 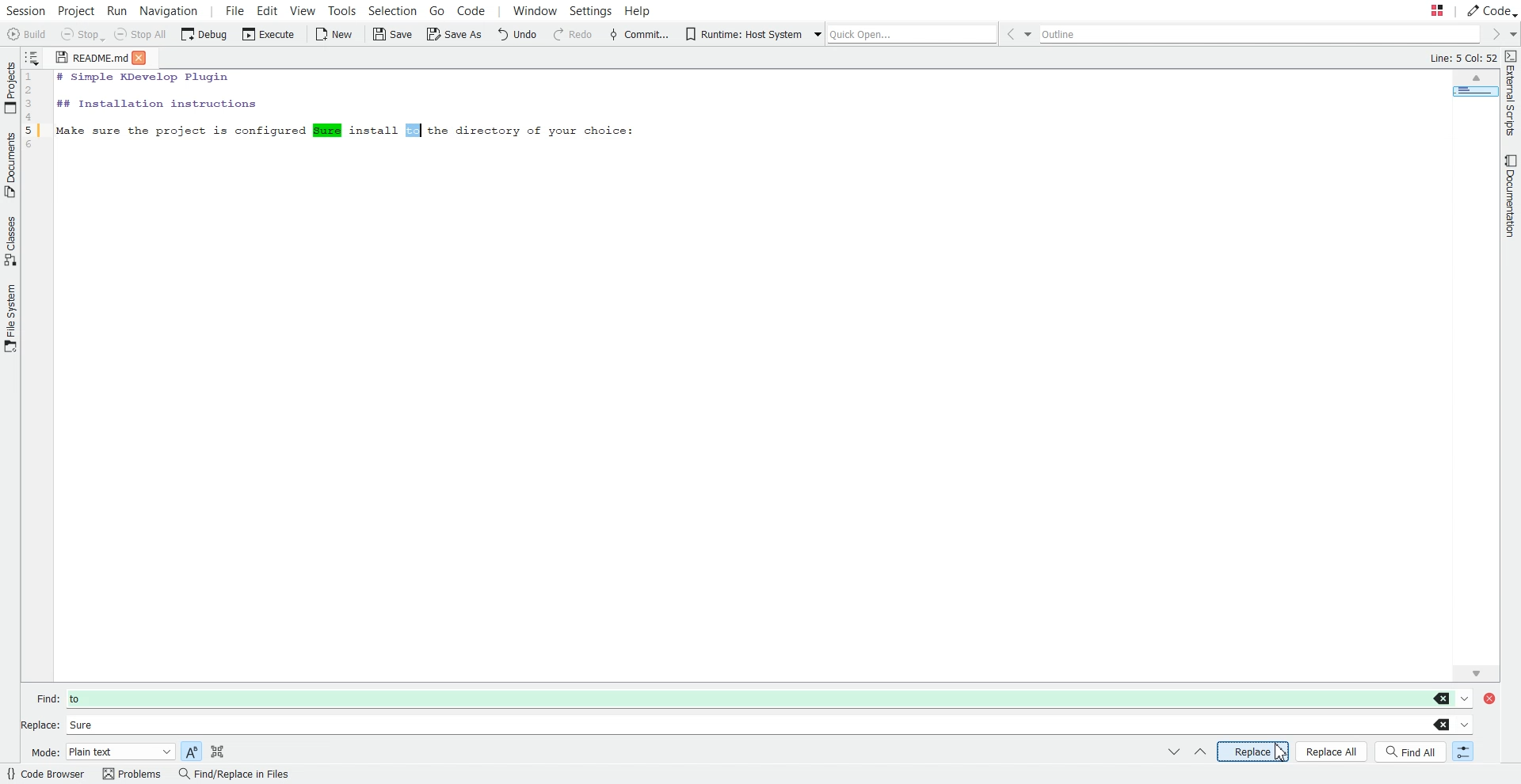 What do you see at coordinates (191, 750) in the screenshot?
I see `Match case sensitive` at bounding box center [191, 750].